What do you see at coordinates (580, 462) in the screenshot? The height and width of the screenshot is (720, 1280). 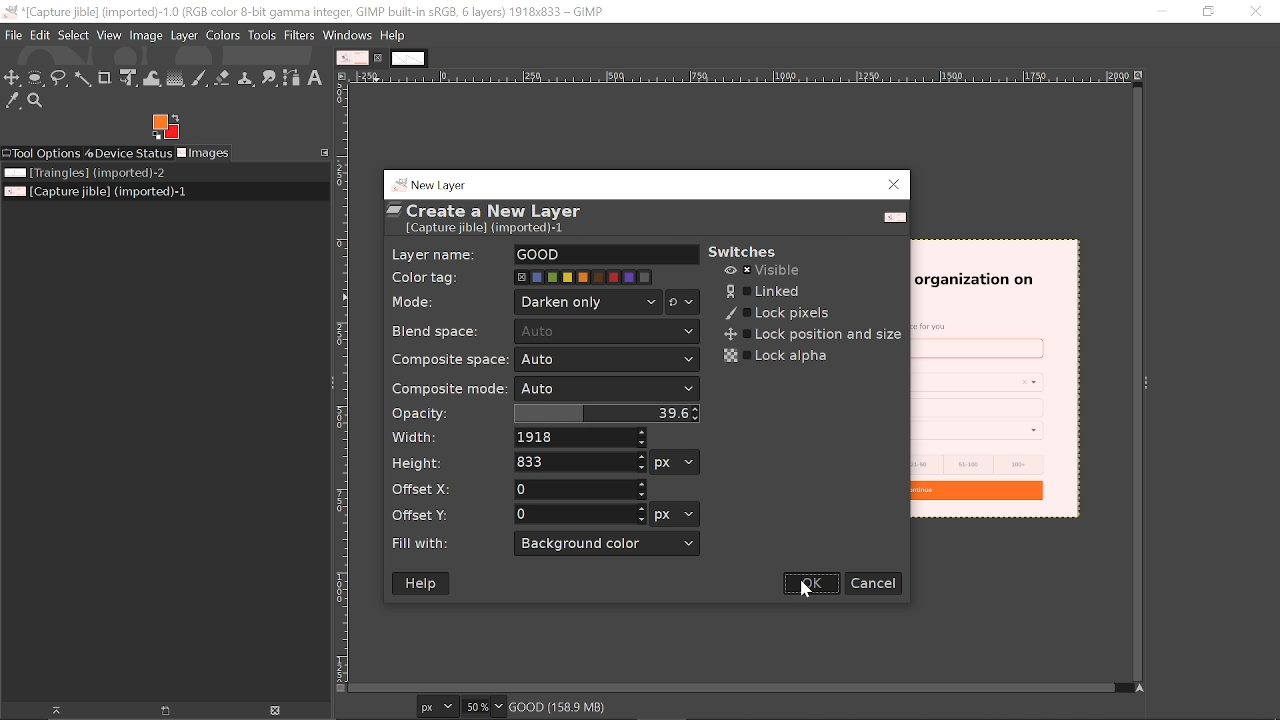 I see `Height` at bounding box center [580, 462].